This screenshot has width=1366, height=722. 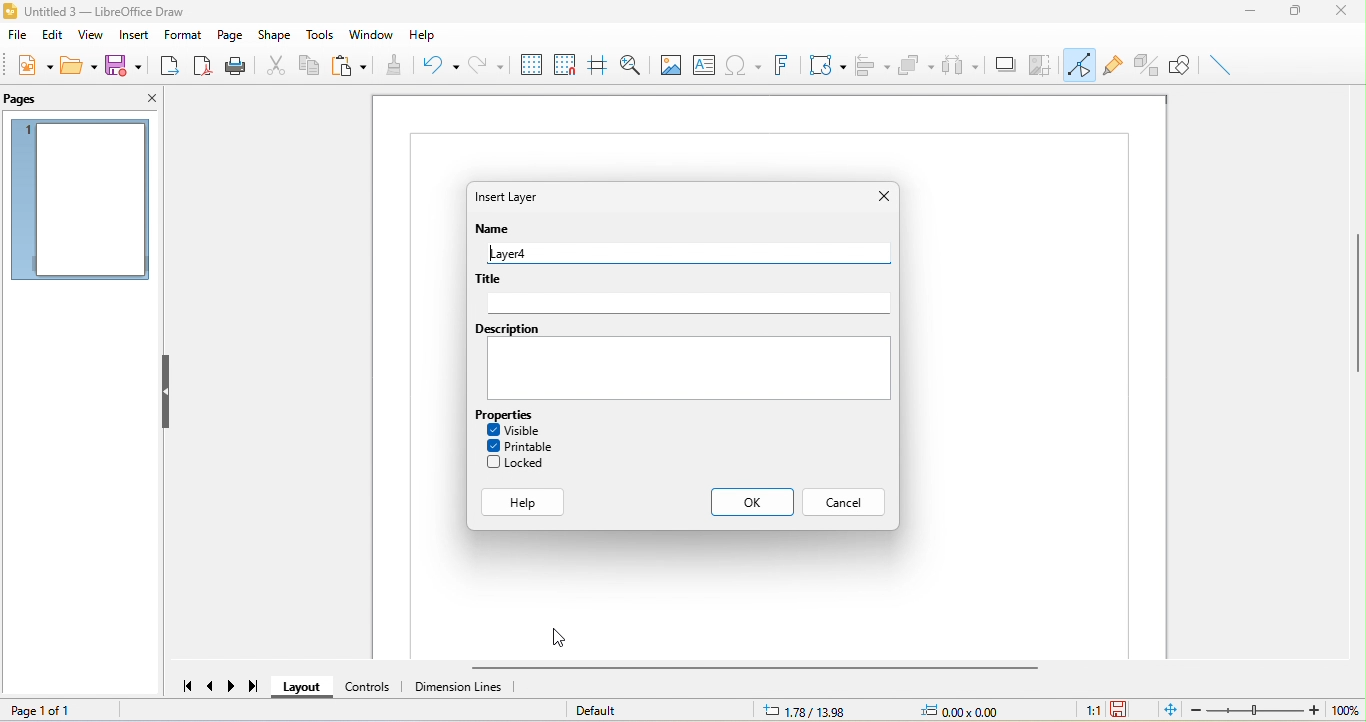 What do you see at coordinates (374, 34) in the screenshot?
I see `window` at bounding box center [374, 34].